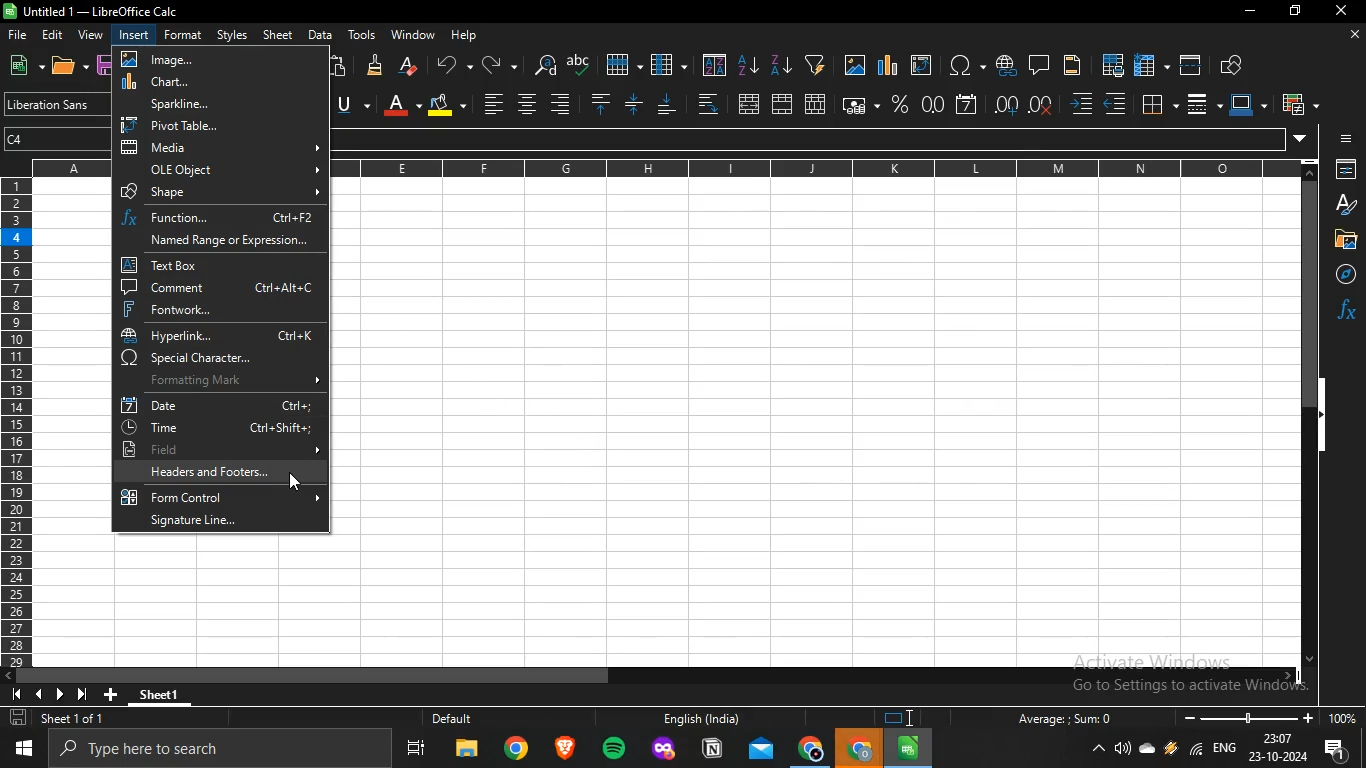 The width and height of the screenshot is (1366, 768). I want to click on outlook, so click(762, 750).